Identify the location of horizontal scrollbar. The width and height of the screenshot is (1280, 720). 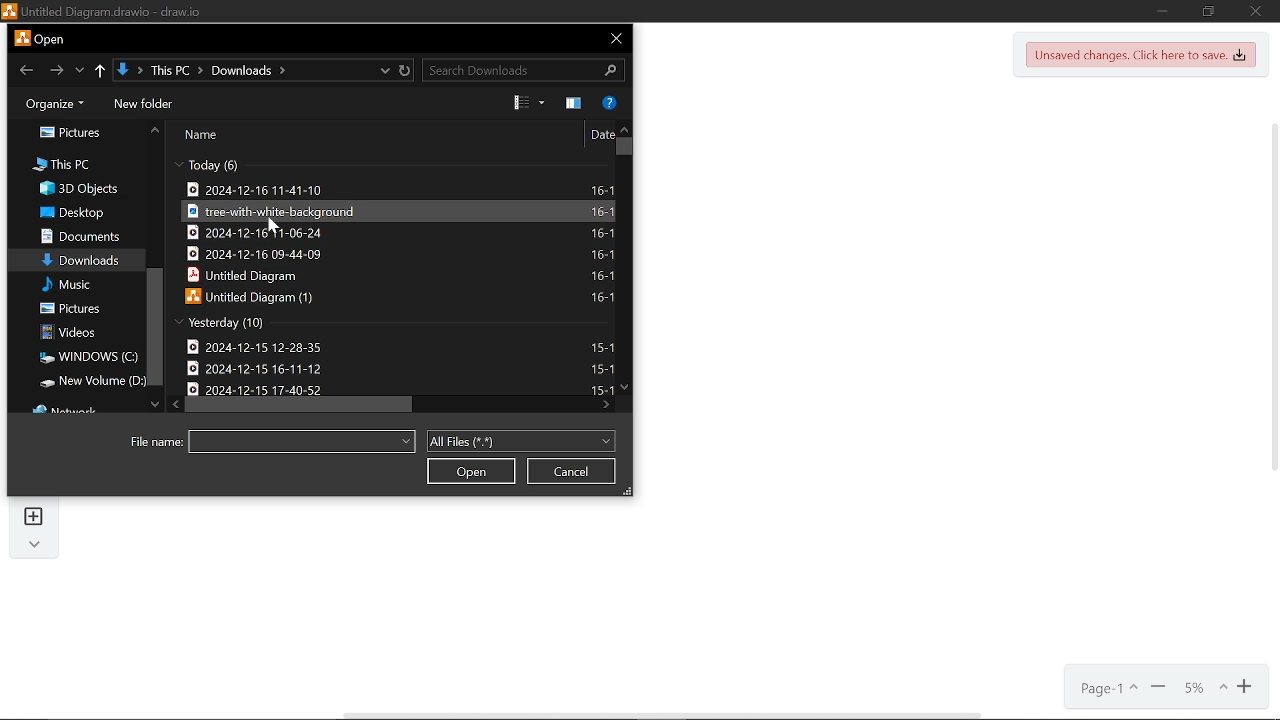
(660, 715).